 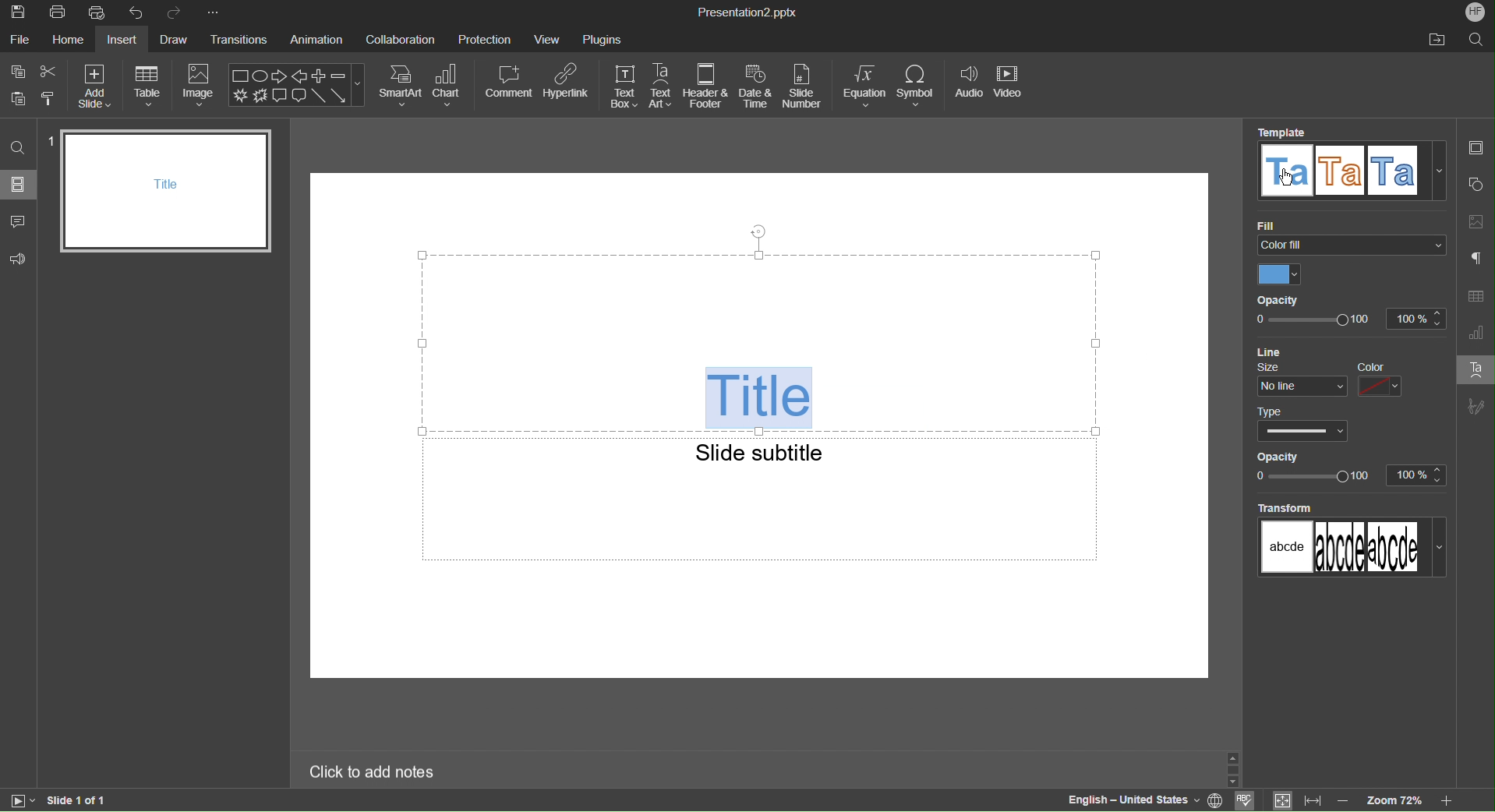 What do you see at coordinates (23, 801) in the screenshot?
I see `start slide show` at bounding box center [23, 801].